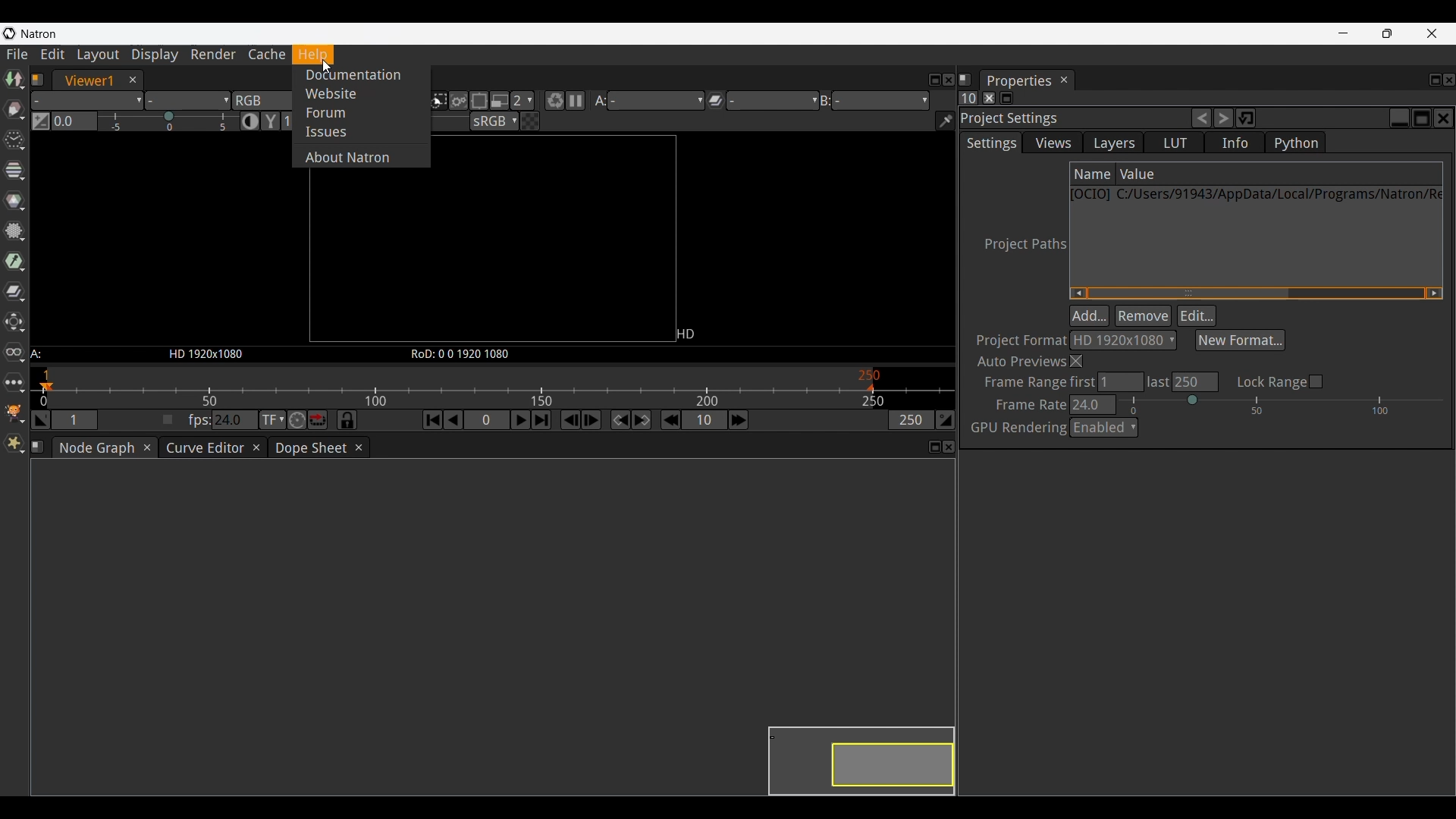 The height and width of the screenshot is (819, 1456). I want to click on Close curve editor tab, so click(257, 447).